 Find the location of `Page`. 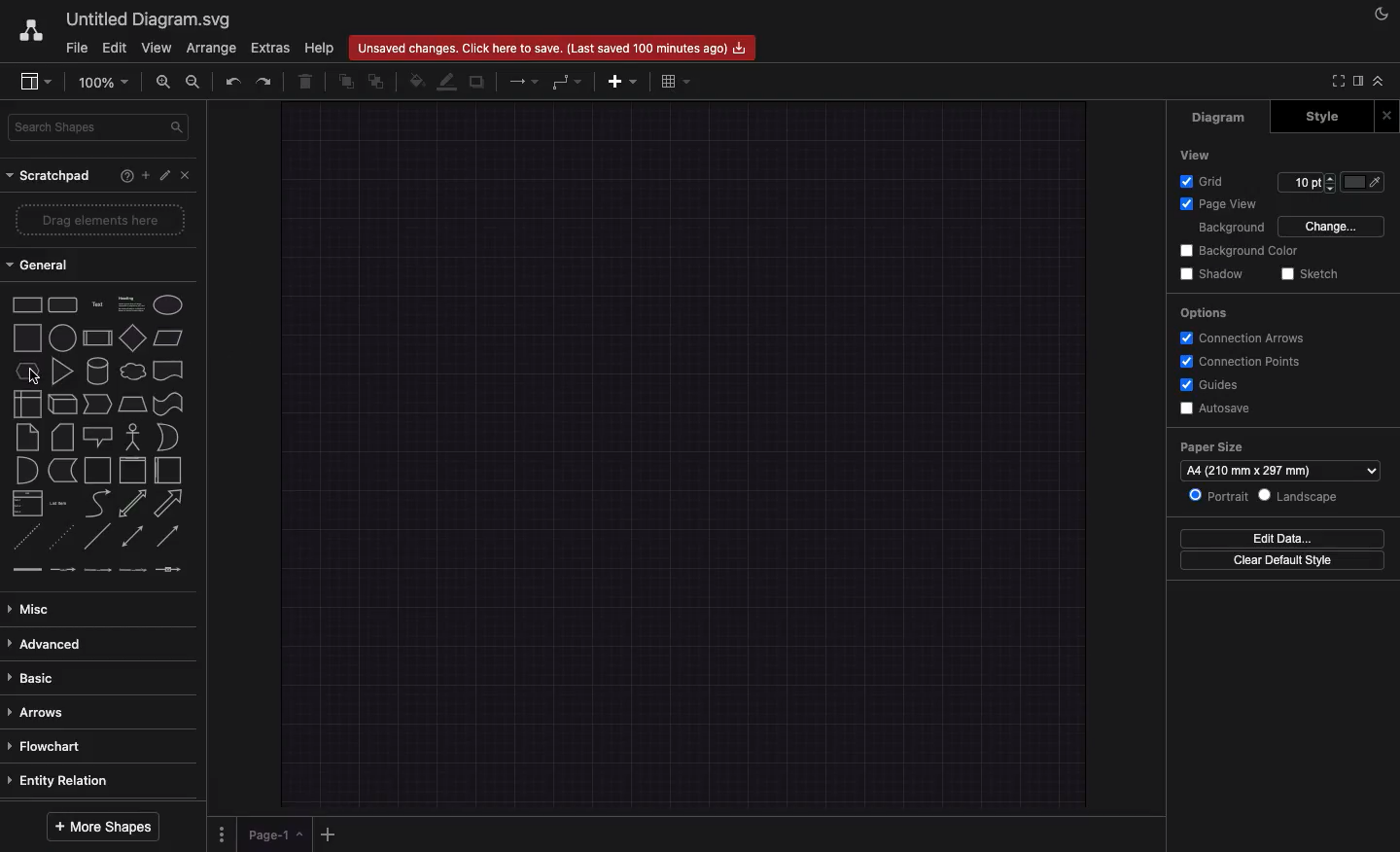

Page is located at coordinates (275, 835).